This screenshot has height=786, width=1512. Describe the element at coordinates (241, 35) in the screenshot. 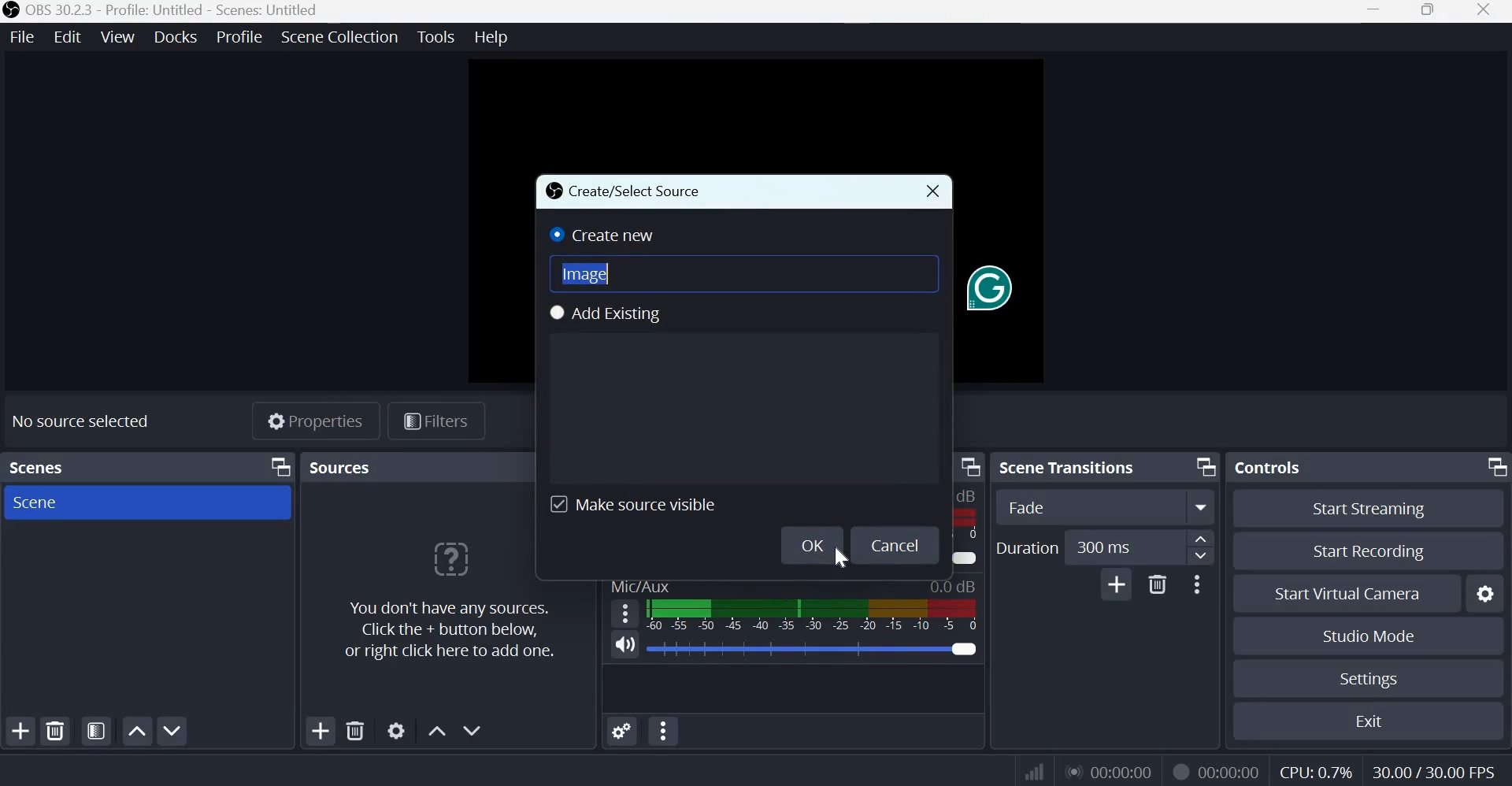

I see `profile` at that location.